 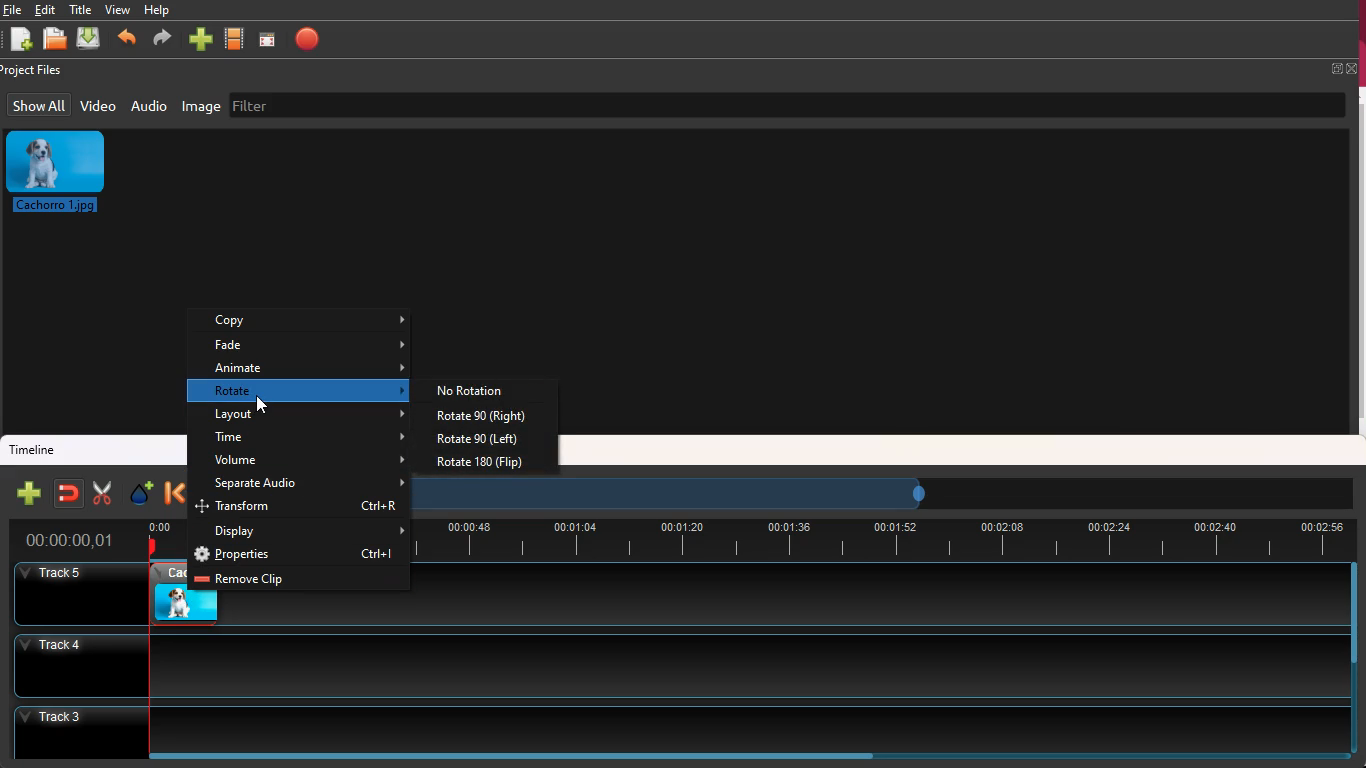 I want to click on track, so click(x=667, y=666).